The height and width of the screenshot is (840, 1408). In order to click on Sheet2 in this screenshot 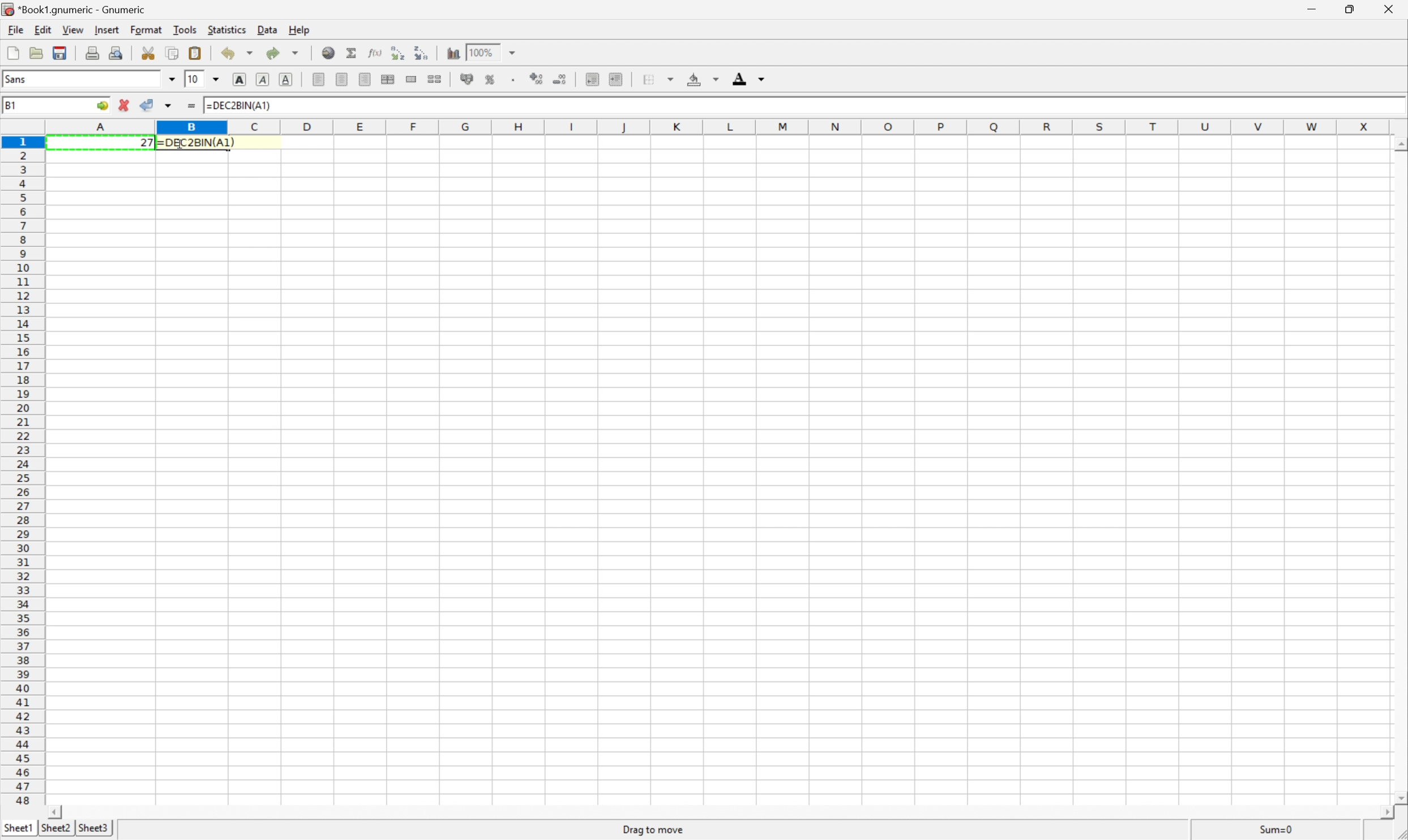, I will do `click(57, 832)`.